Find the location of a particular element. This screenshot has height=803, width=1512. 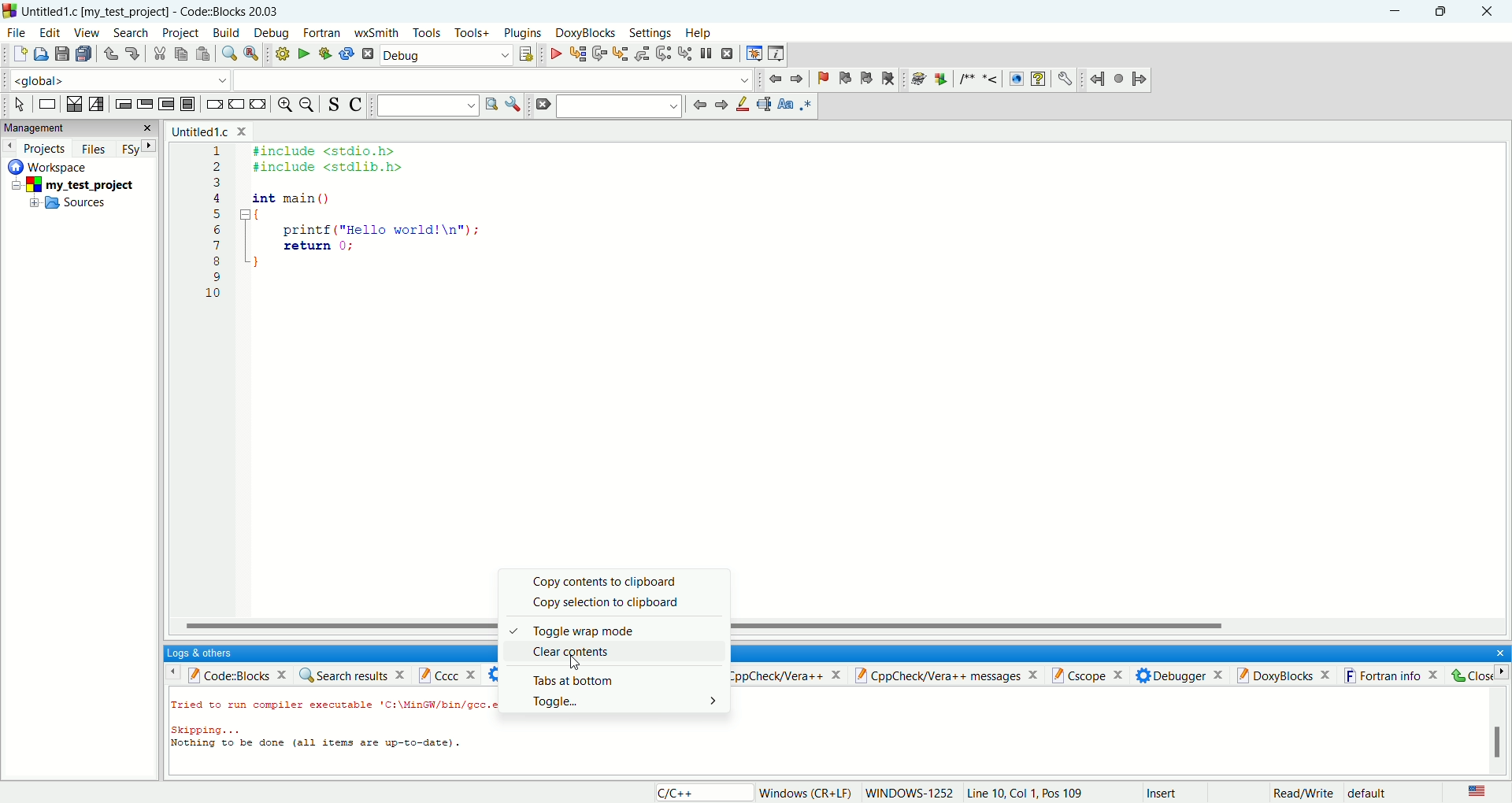

close is located at coordinates (1487, 12).